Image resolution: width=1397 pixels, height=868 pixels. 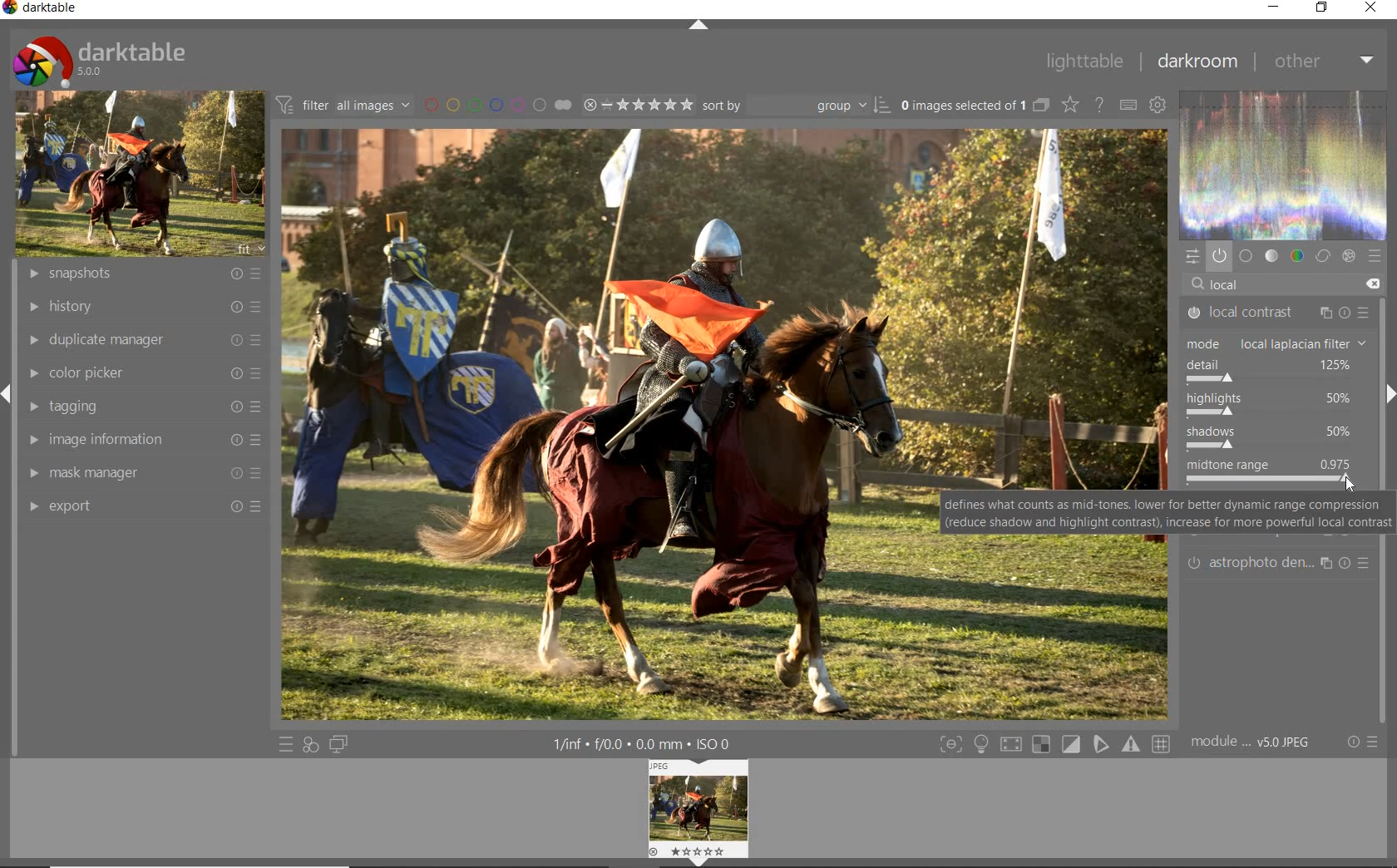 What do you see at coordinates (1127, 105) in the screenshot?
I see `define keyboard shortcuts` at bounding box center [1127, 105].